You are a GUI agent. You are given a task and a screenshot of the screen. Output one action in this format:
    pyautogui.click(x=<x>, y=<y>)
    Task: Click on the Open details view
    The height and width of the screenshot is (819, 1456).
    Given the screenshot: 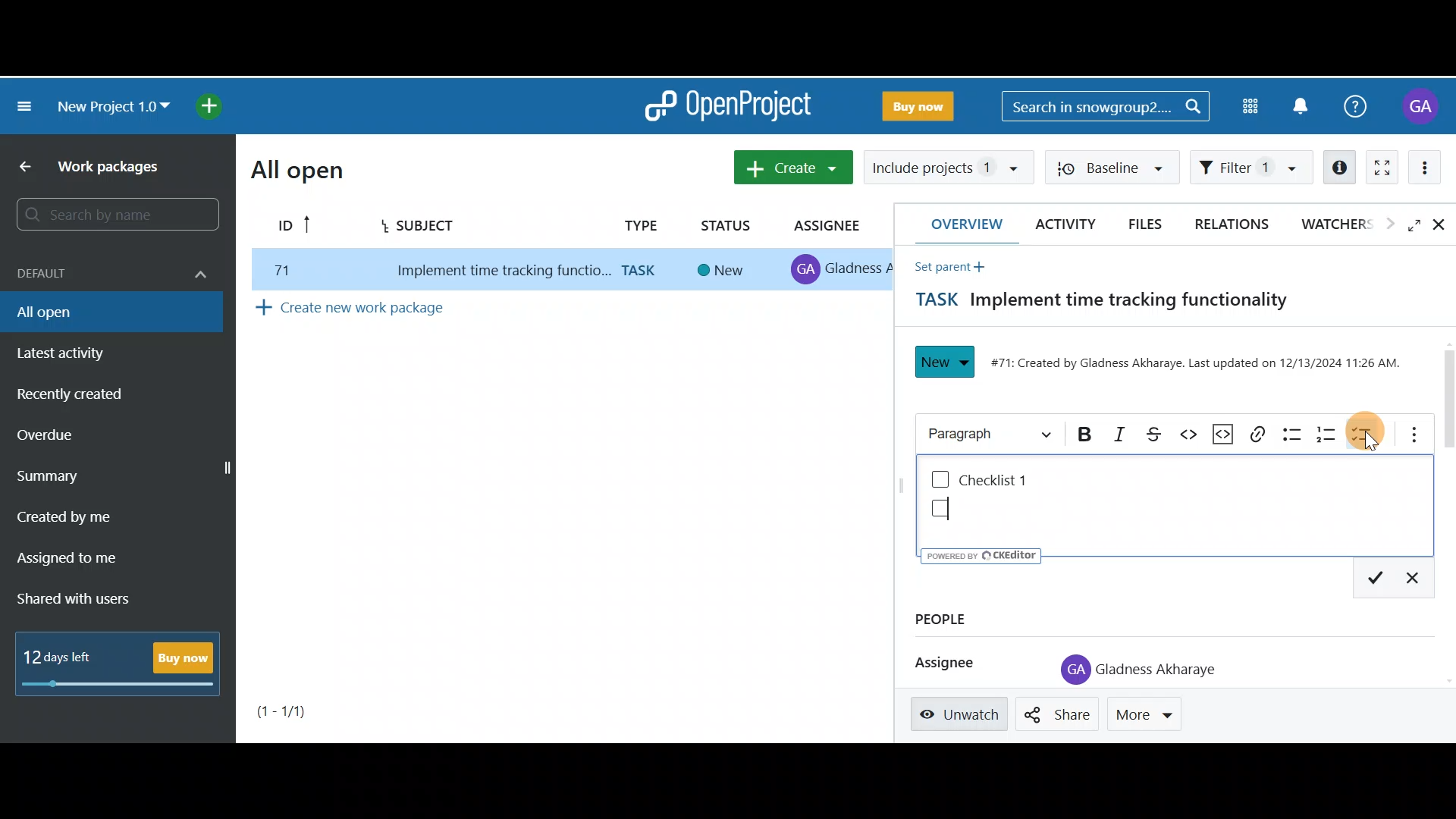 What is the action you would take?
    pyautogui.click(x=1337, y=165)
    